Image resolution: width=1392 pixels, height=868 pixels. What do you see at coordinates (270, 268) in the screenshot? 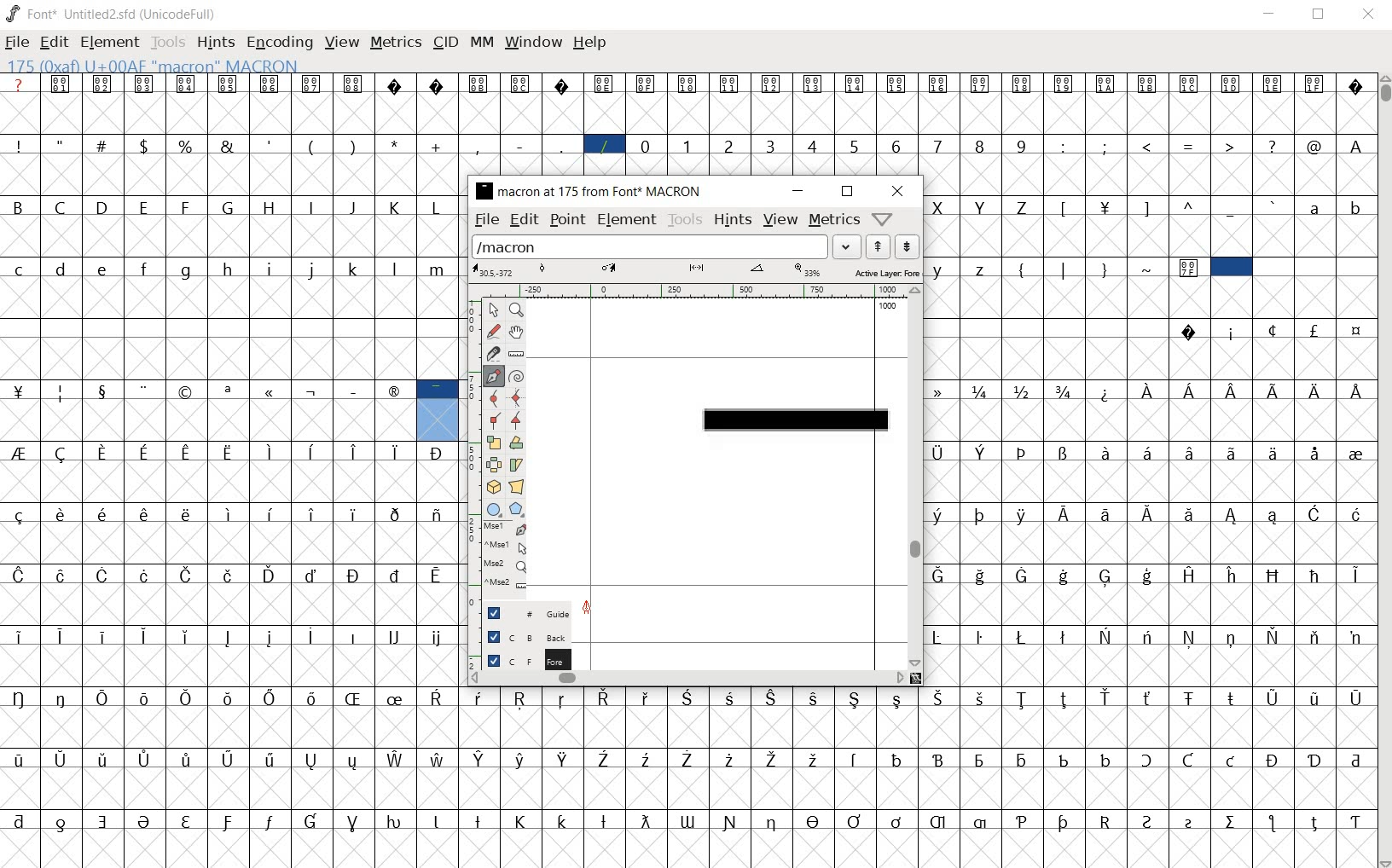
I see `i` at bounding box center [270, 268].